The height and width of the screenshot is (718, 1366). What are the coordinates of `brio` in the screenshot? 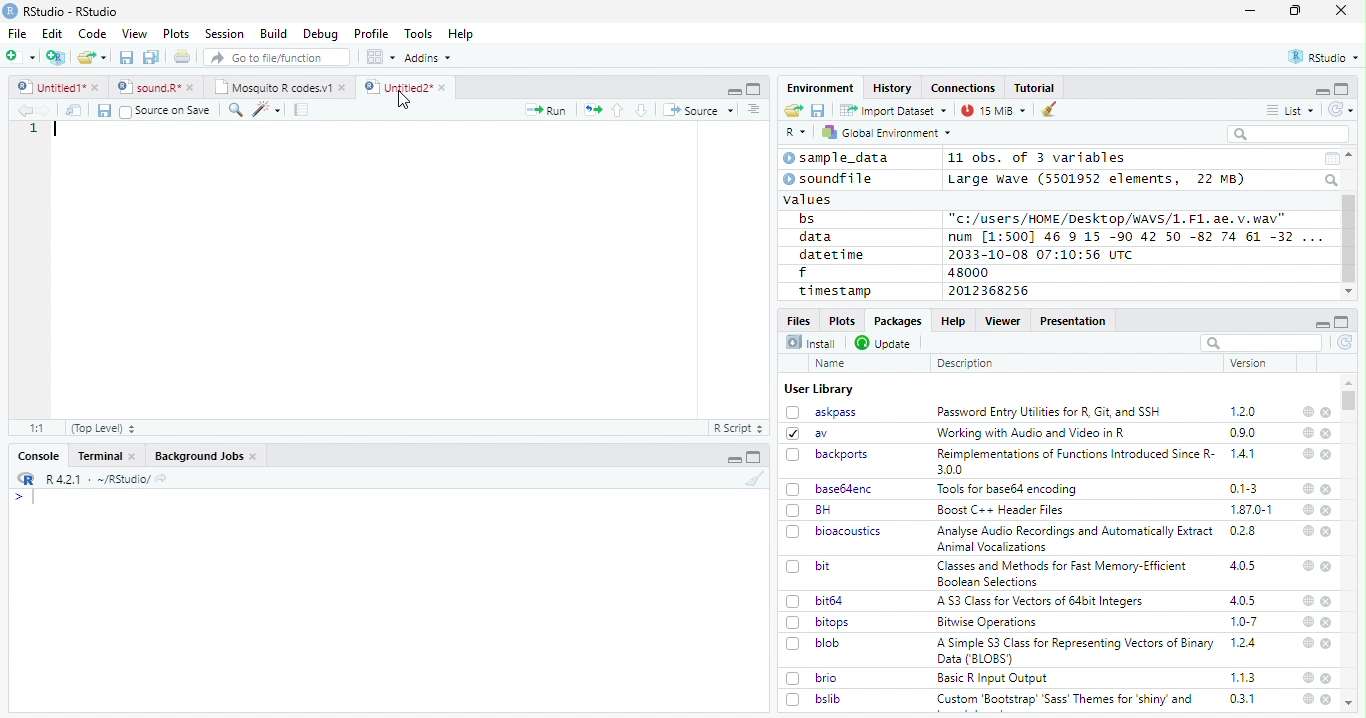 It's located at (812, 678).